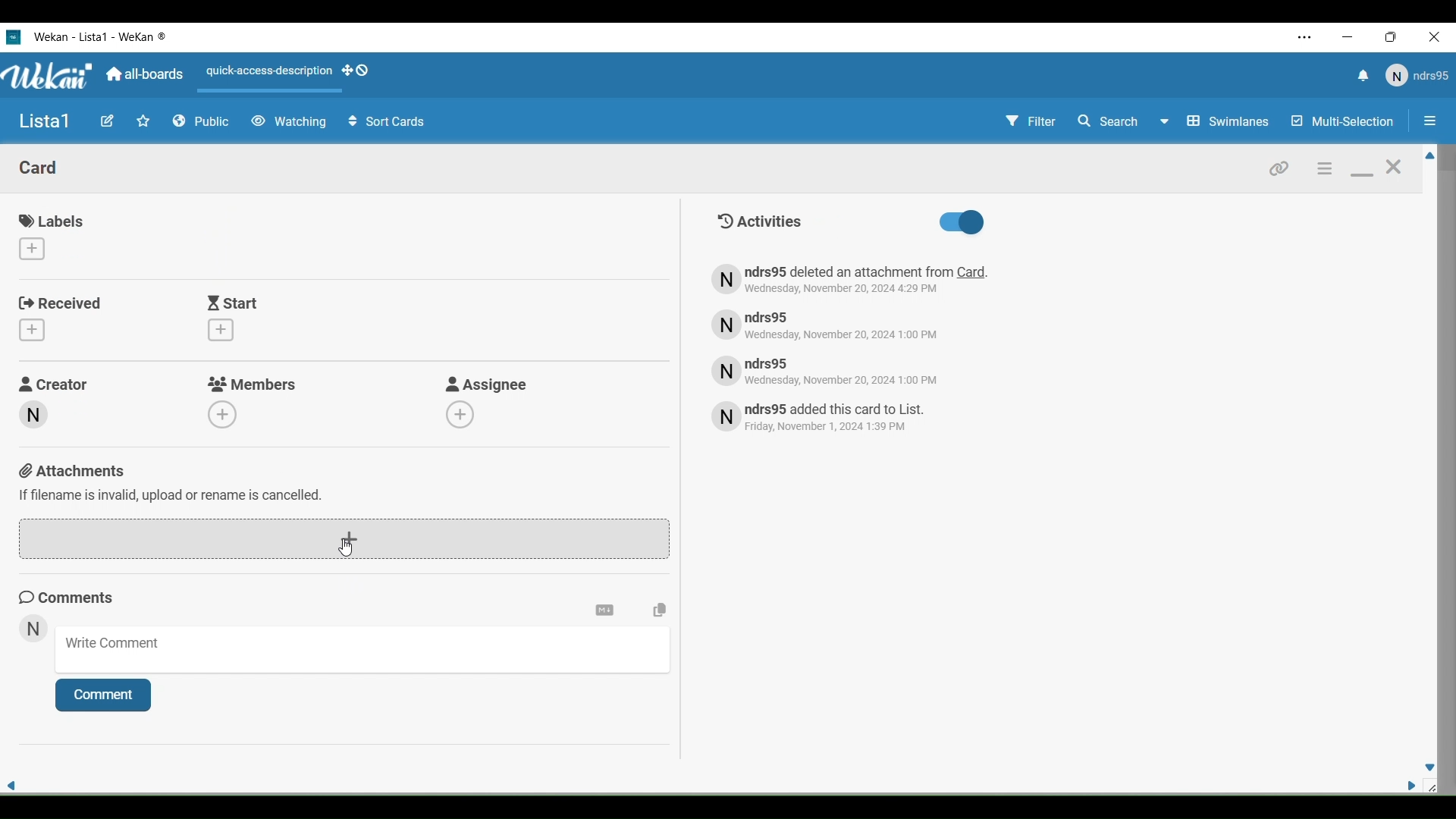 Image resolution: width=1456 pixels, height=819 pixels. I want to click on Filter, so click(1030, 124).